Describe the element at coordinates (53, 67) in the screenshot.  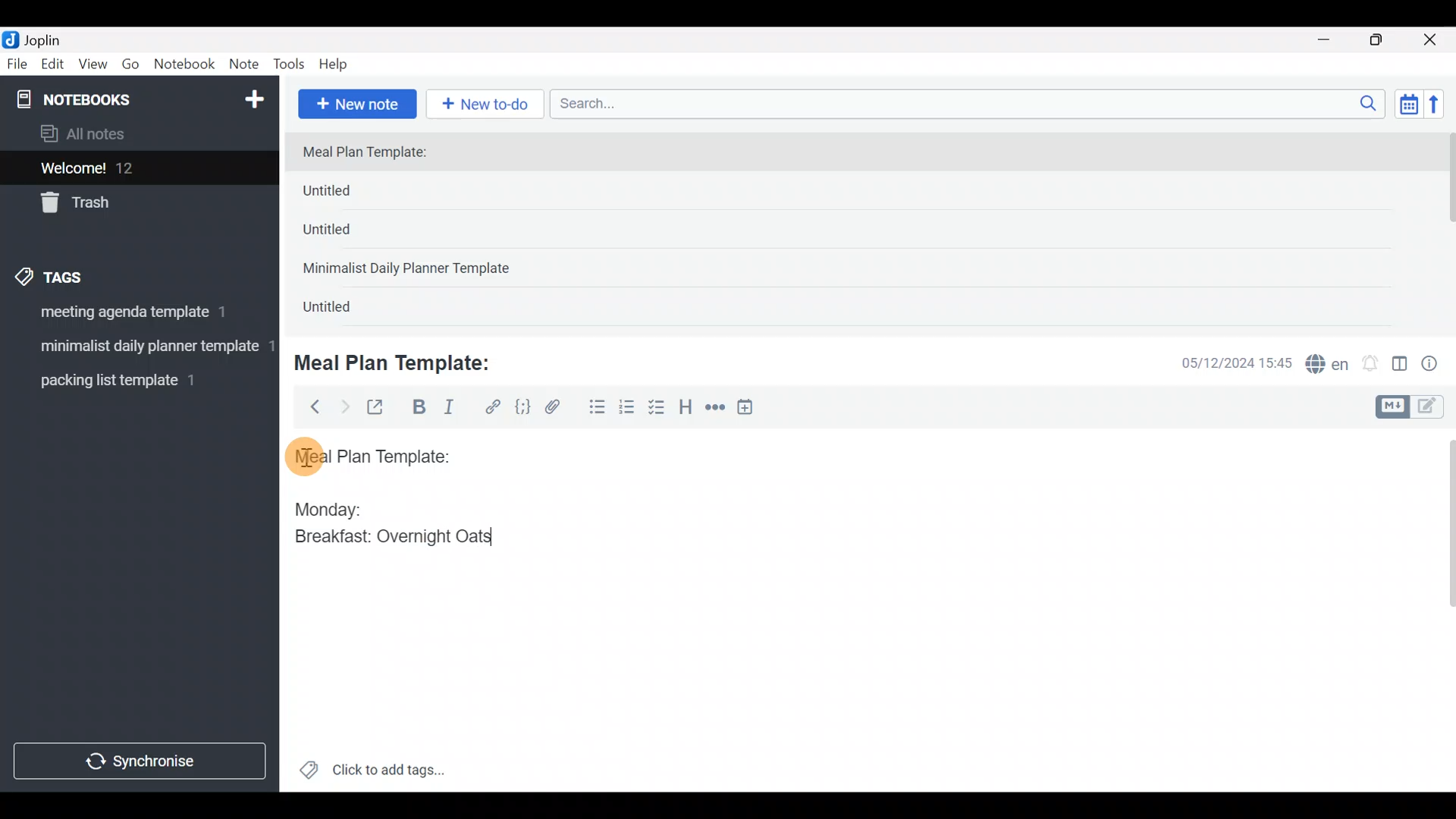
I see `Edit` at that location.